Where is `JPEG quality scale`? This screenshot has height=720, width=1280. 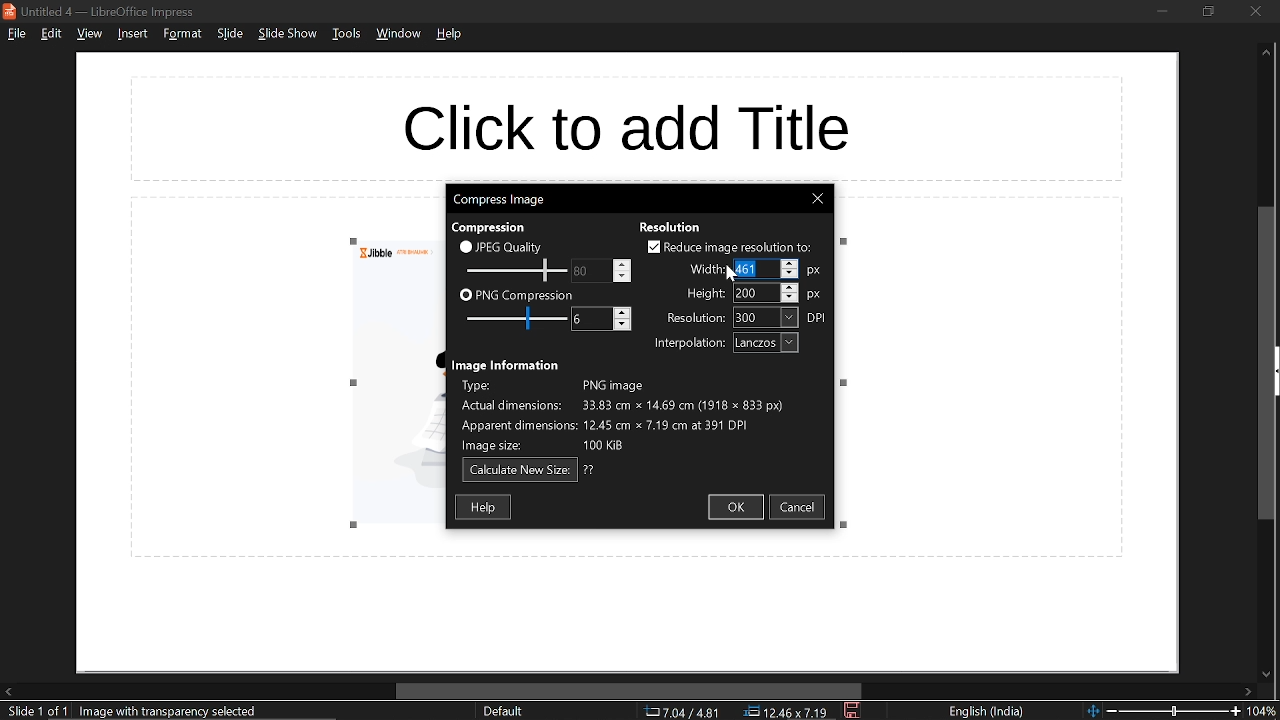
JPEG quality scale is located at coordinates (517, 269).